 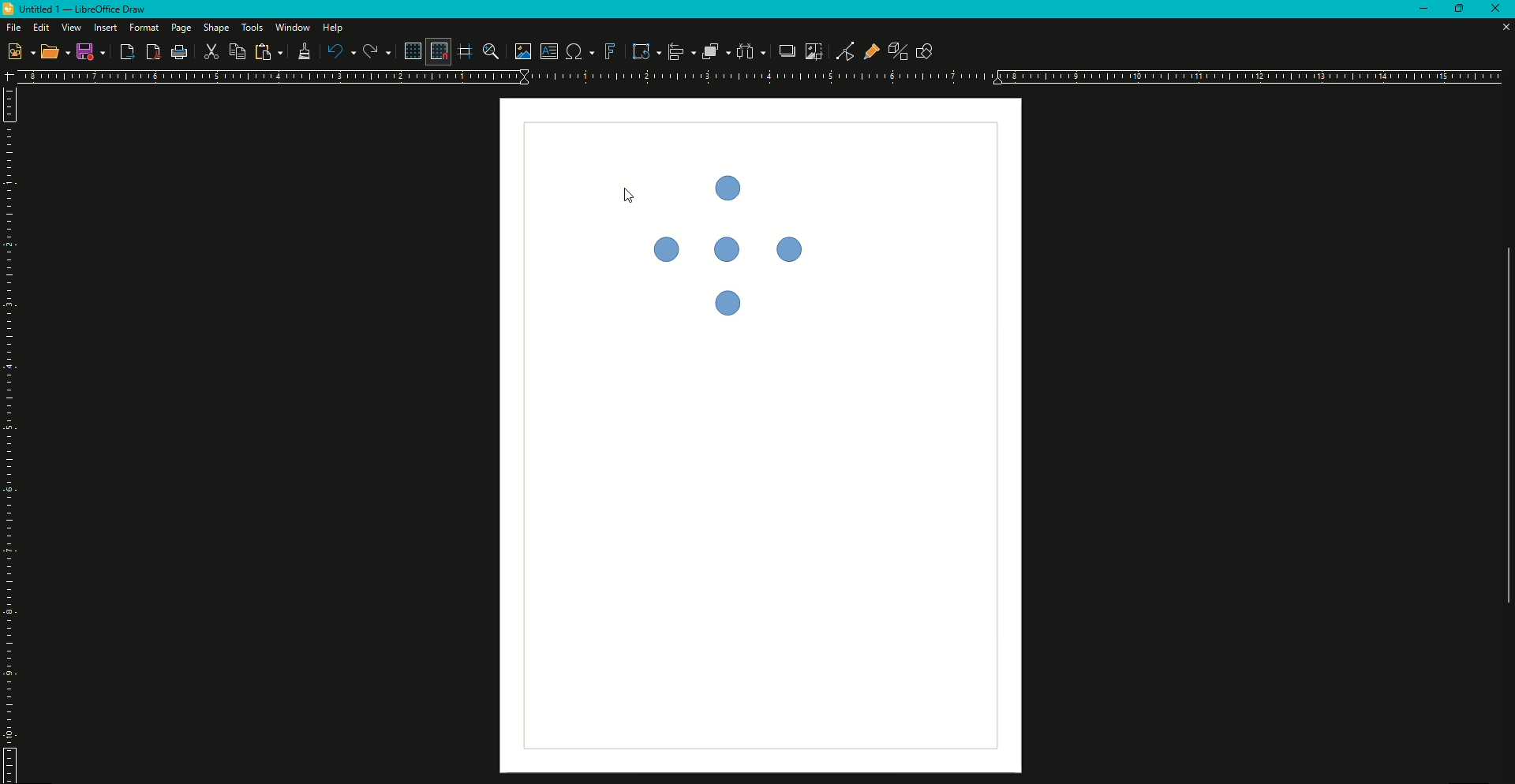 I want to click on New, so click(x=19, y=52).